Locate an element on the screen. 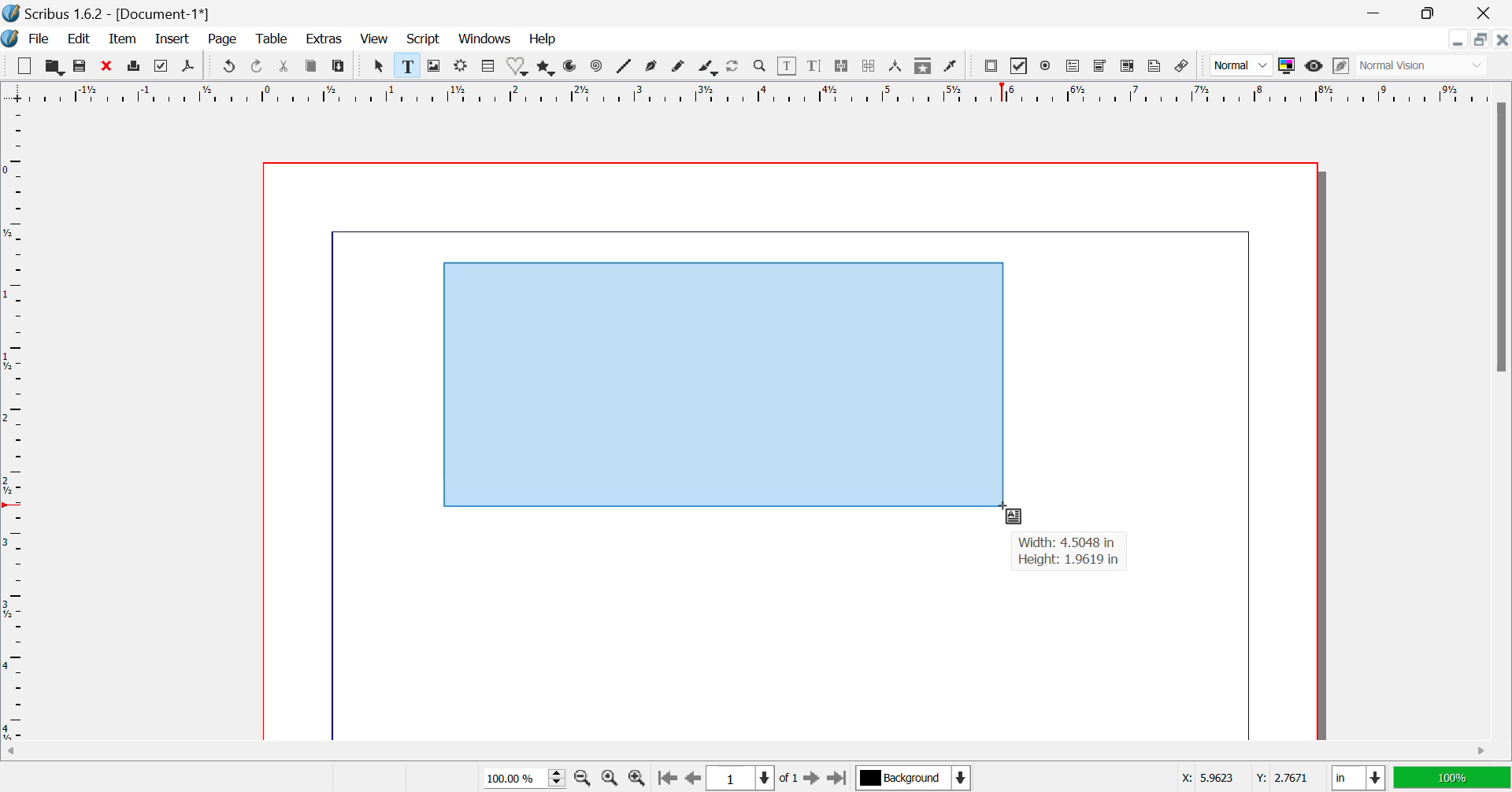 The image size is (1512, 792). in is located at coordinates (1354, 778).